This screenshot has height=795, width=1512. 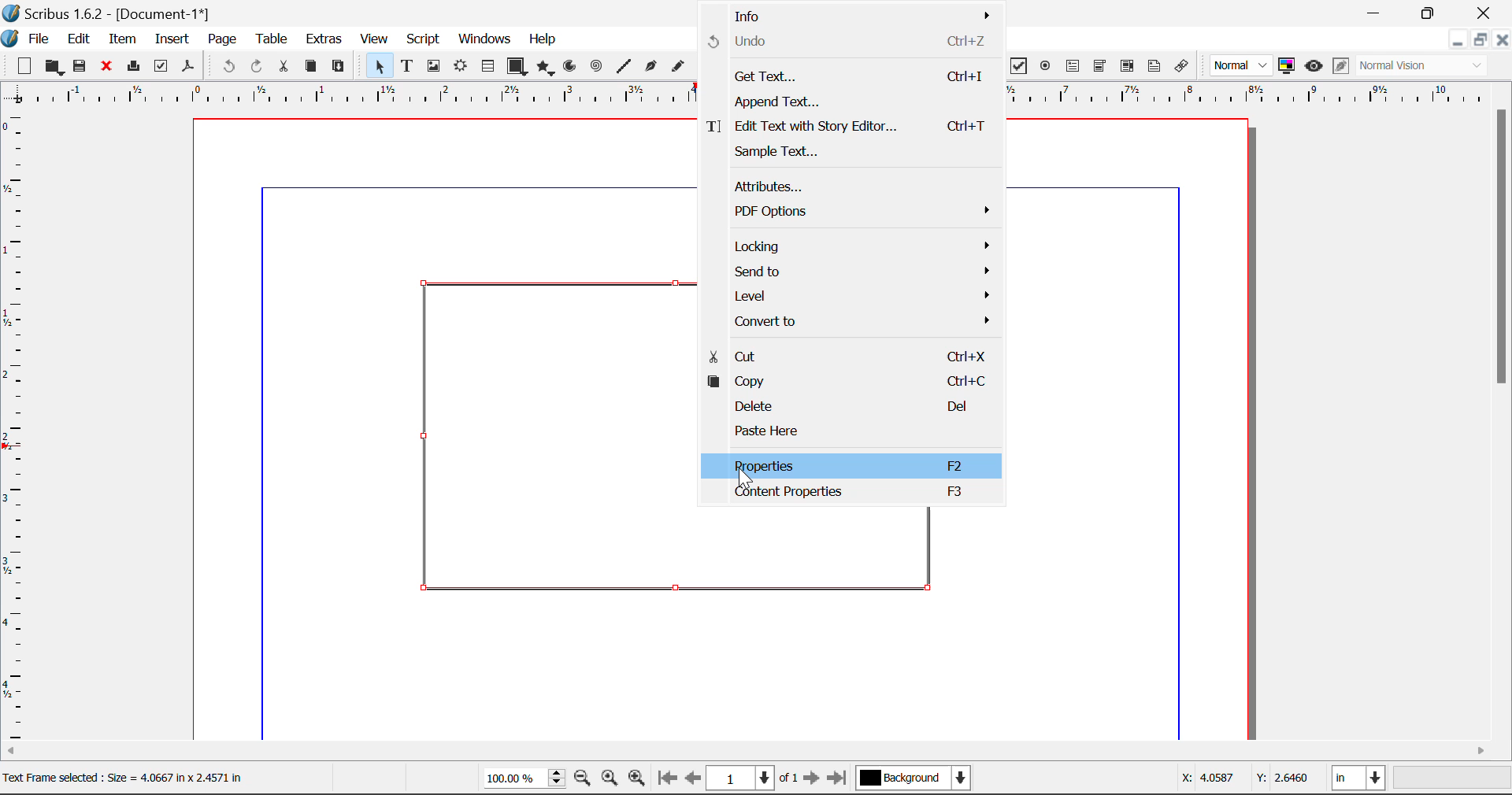 I want to click on Background, so click(x=913, y=779).